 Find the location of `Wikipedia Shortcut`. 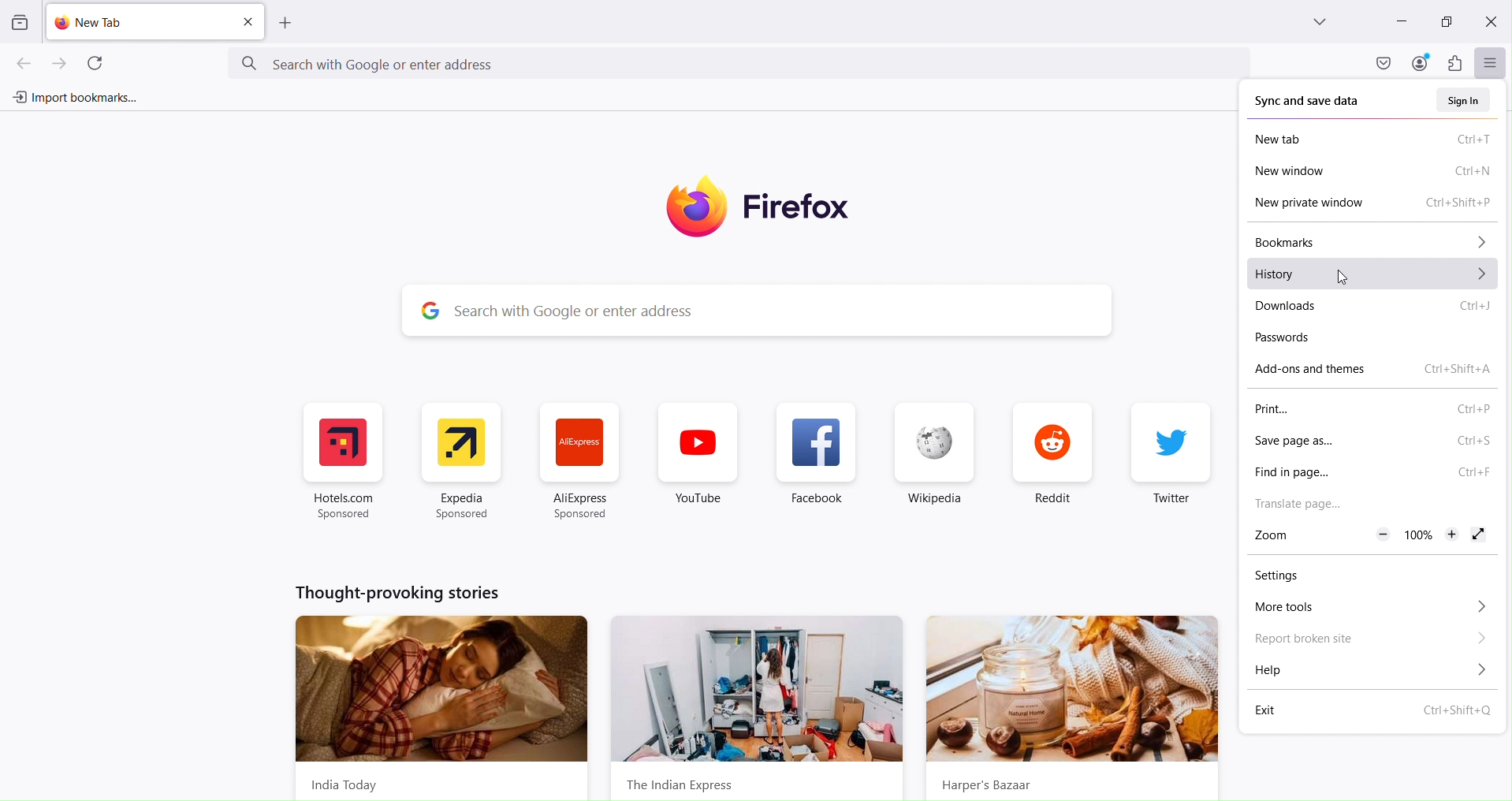

Wikipedia Shortcut is located at coordinates (933, 463).